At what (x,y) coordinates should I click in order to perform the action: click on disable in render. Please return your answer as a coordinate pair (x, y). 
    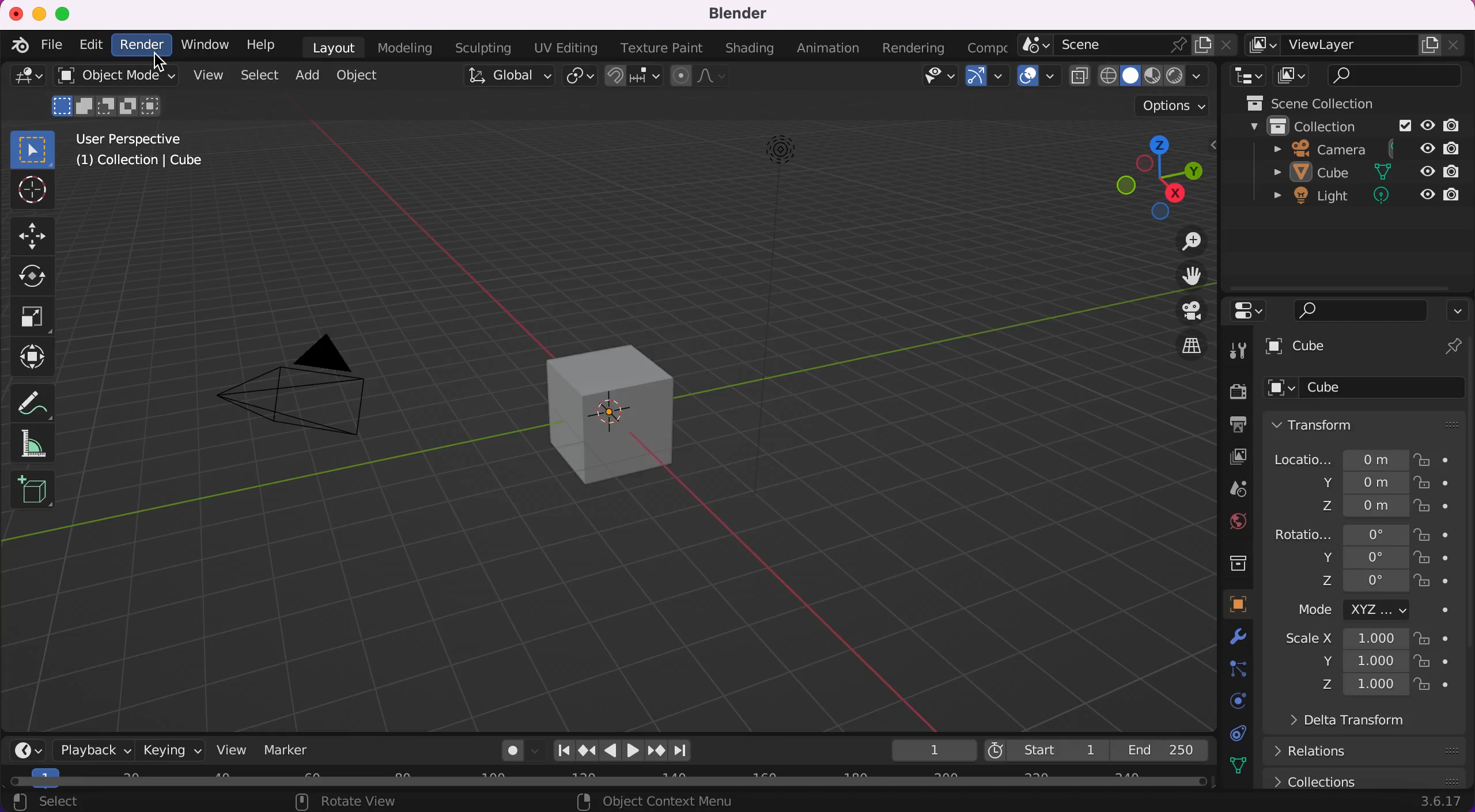
    Looking at the image, I should click on (1453, 171).